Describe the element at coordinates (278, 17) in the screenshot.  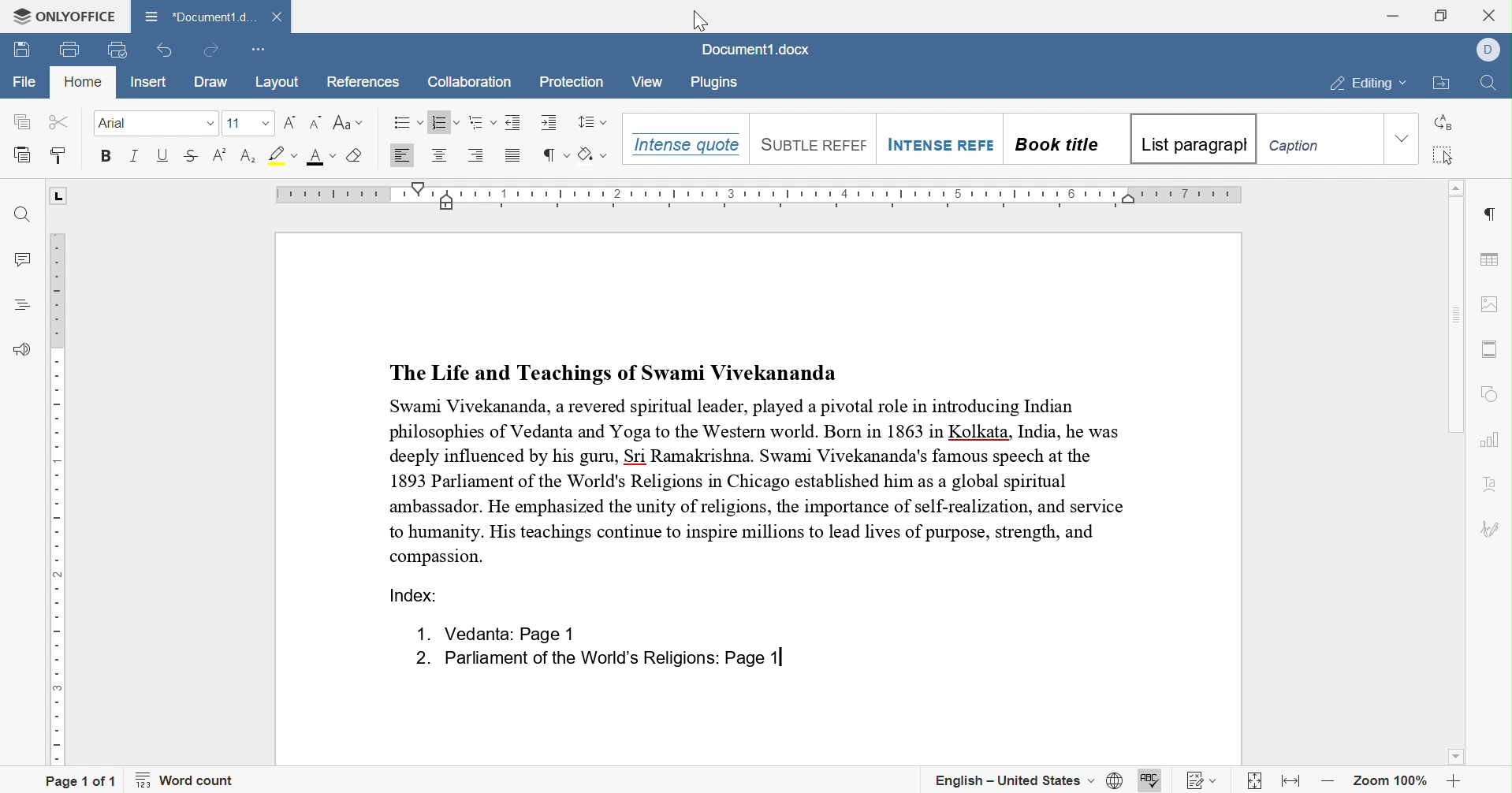
I see `close` at that location.